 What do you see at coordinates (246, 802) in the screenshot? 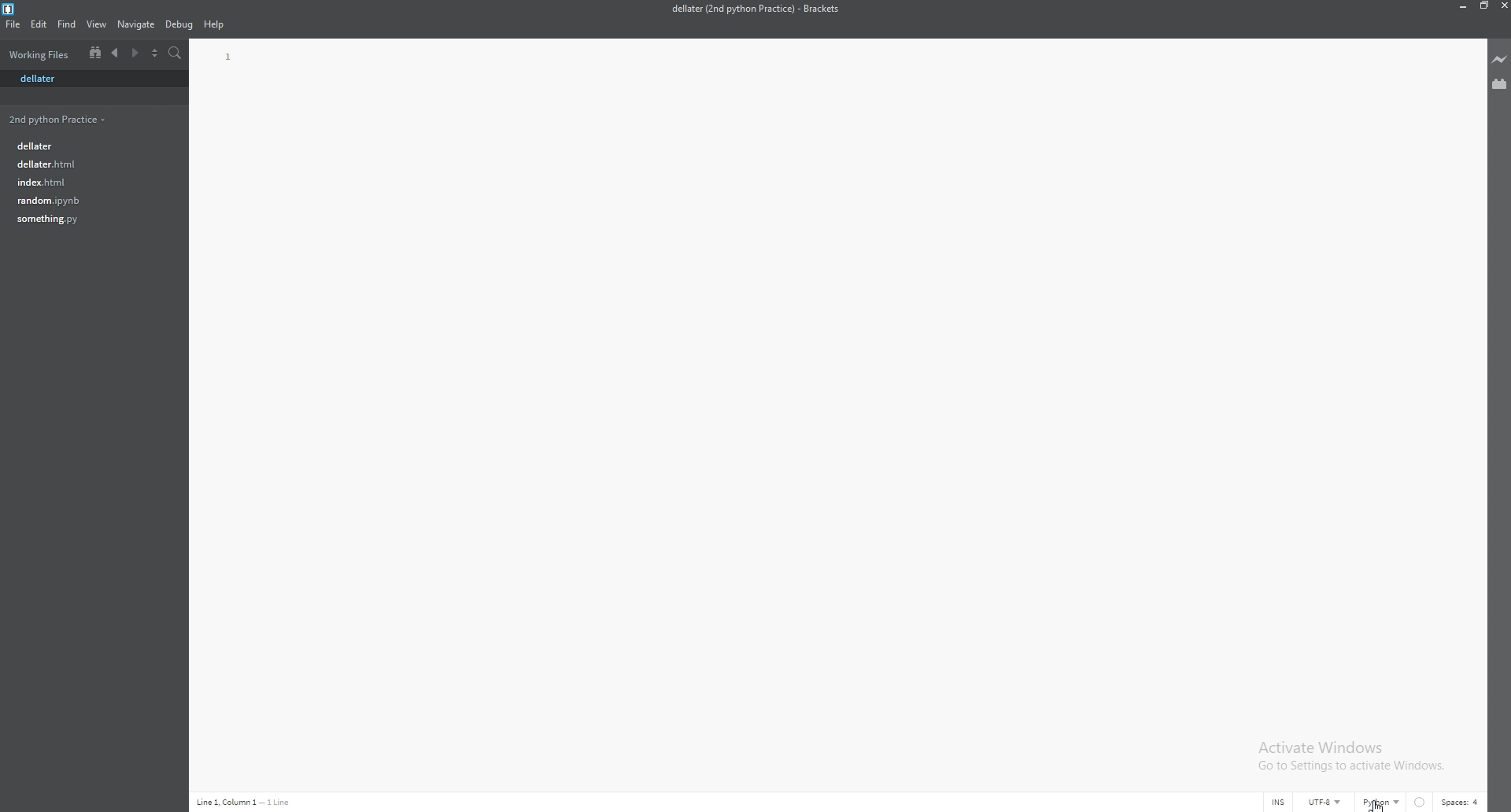
I see `description` at bounding box center [246, 802].